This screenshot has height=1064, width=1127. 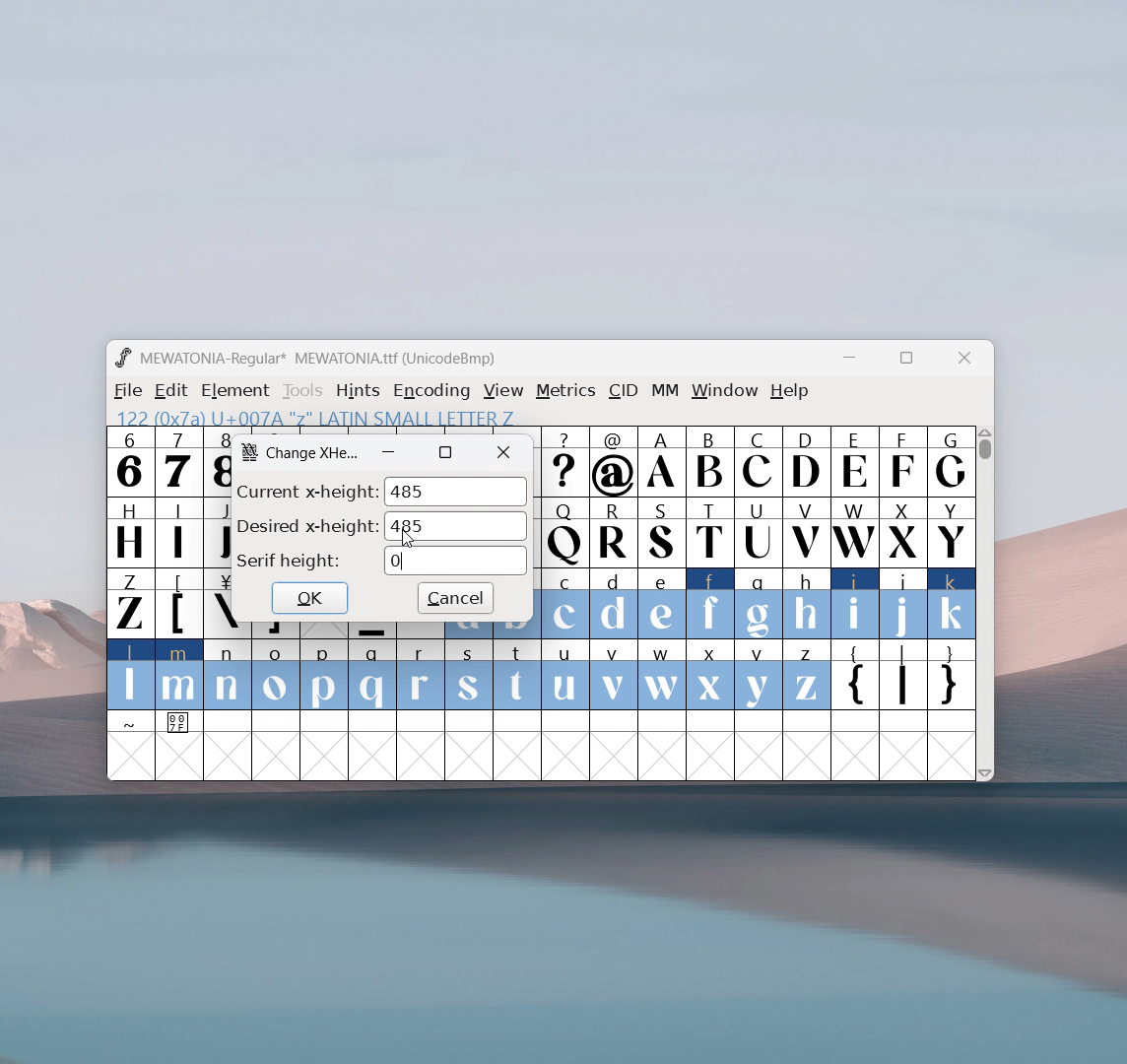 What do you see at coordinates (445, 452) in the screenshot?
I see `maximize` at bounding box center [445, 452].